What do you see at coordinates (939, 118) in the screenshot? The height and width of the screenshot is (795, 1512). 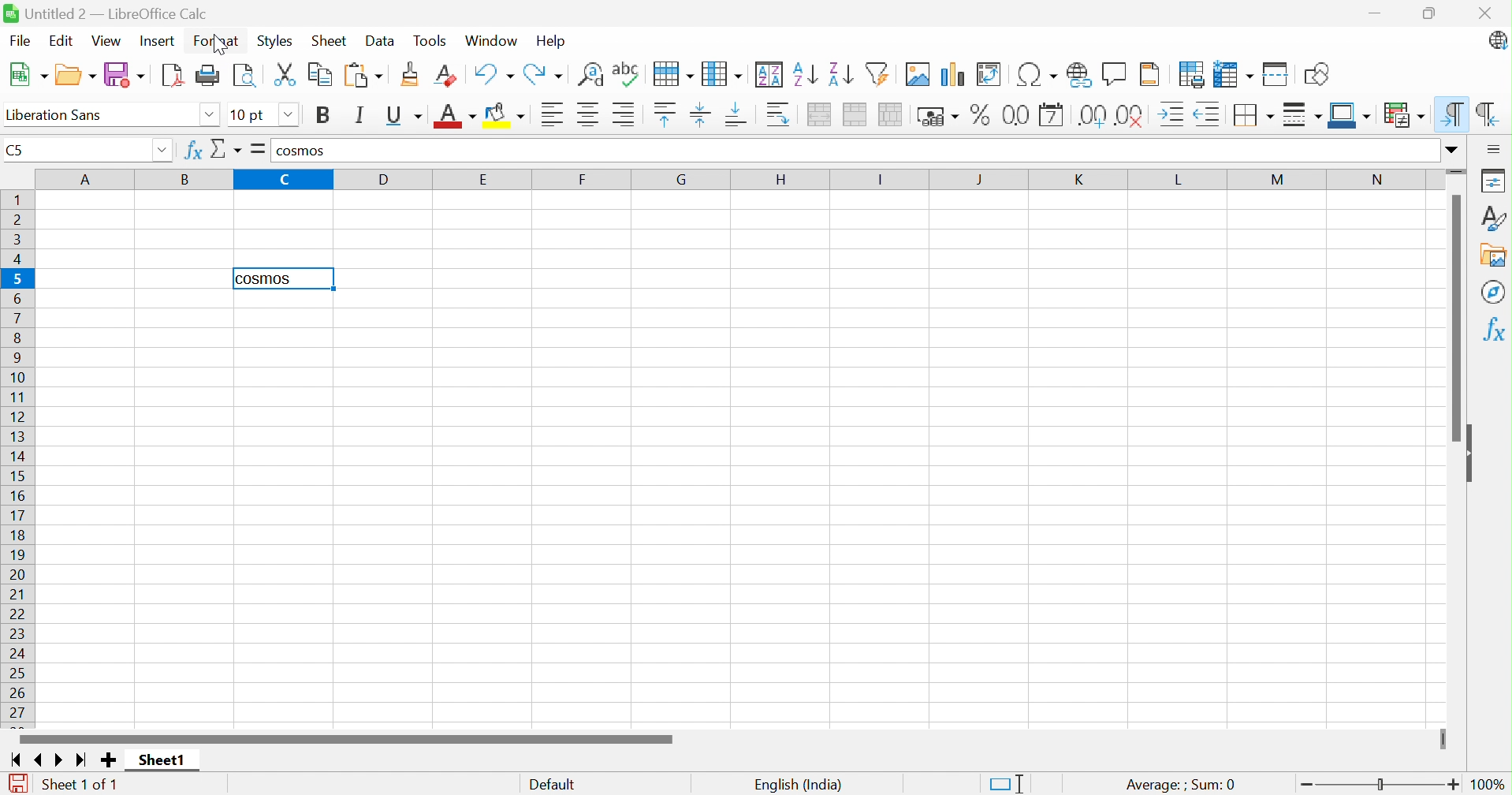 I see `Format as currency` at bounding box center [939, 118].